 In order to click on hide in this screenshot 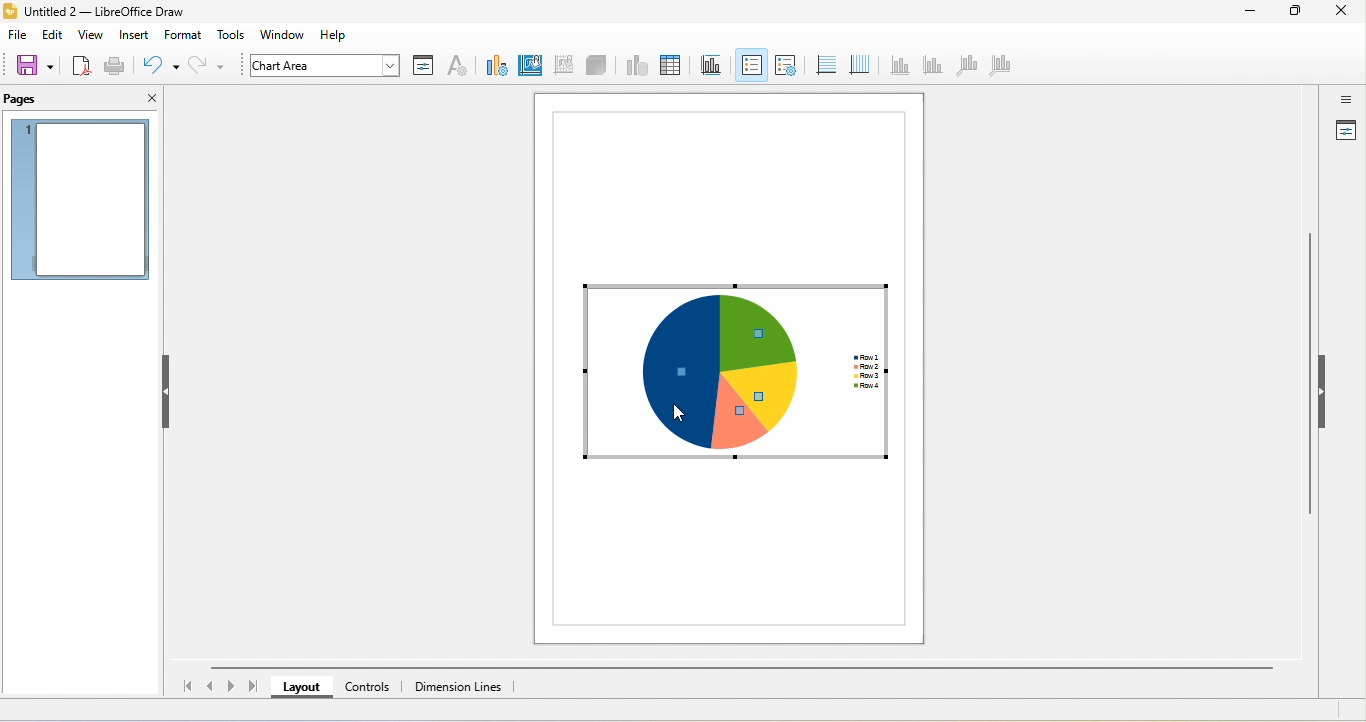, I will do `click(168, 391)`.